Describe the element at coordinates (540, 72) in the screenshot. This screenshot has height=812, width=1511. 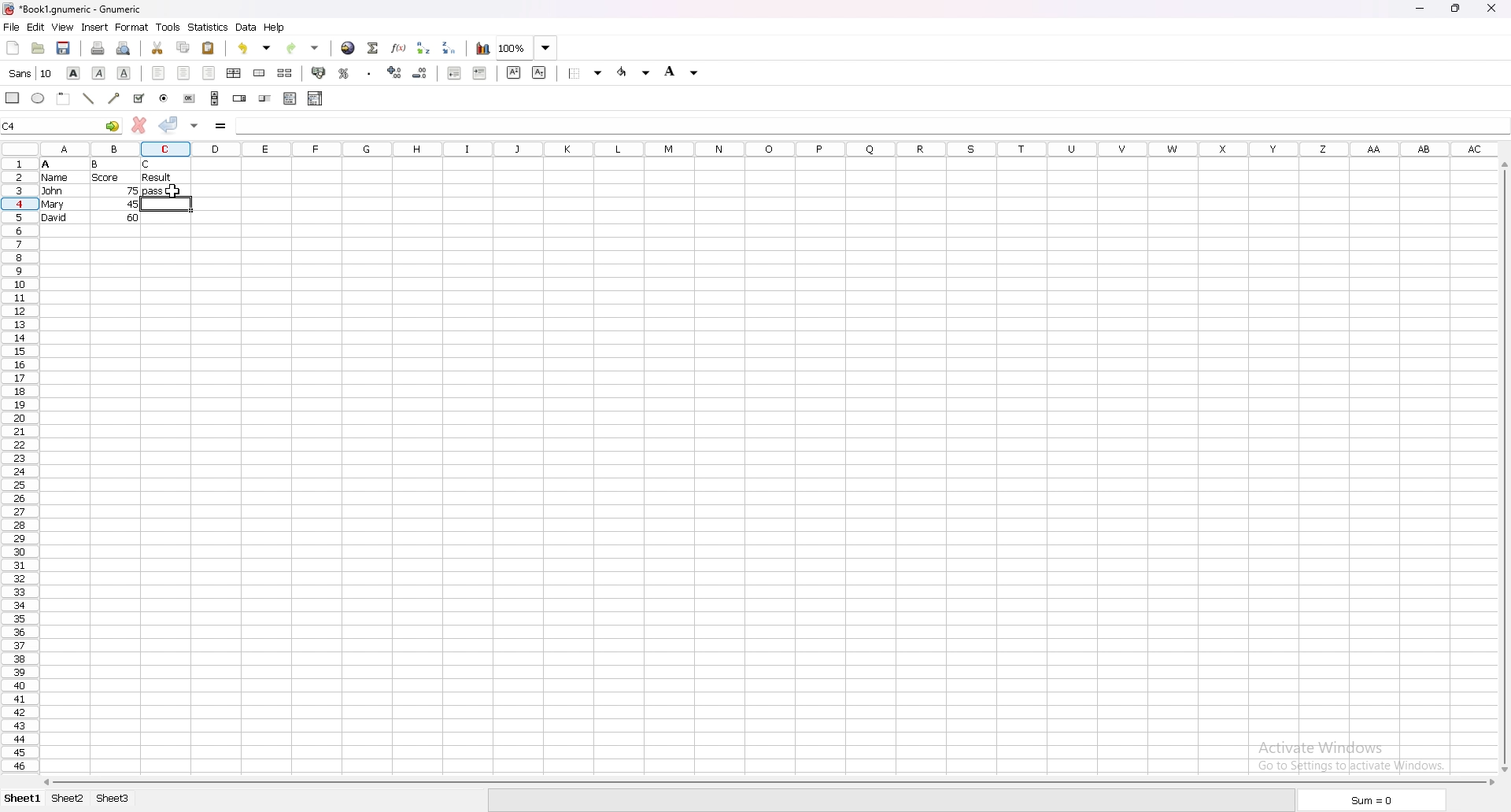
I see `subscript` at that location.